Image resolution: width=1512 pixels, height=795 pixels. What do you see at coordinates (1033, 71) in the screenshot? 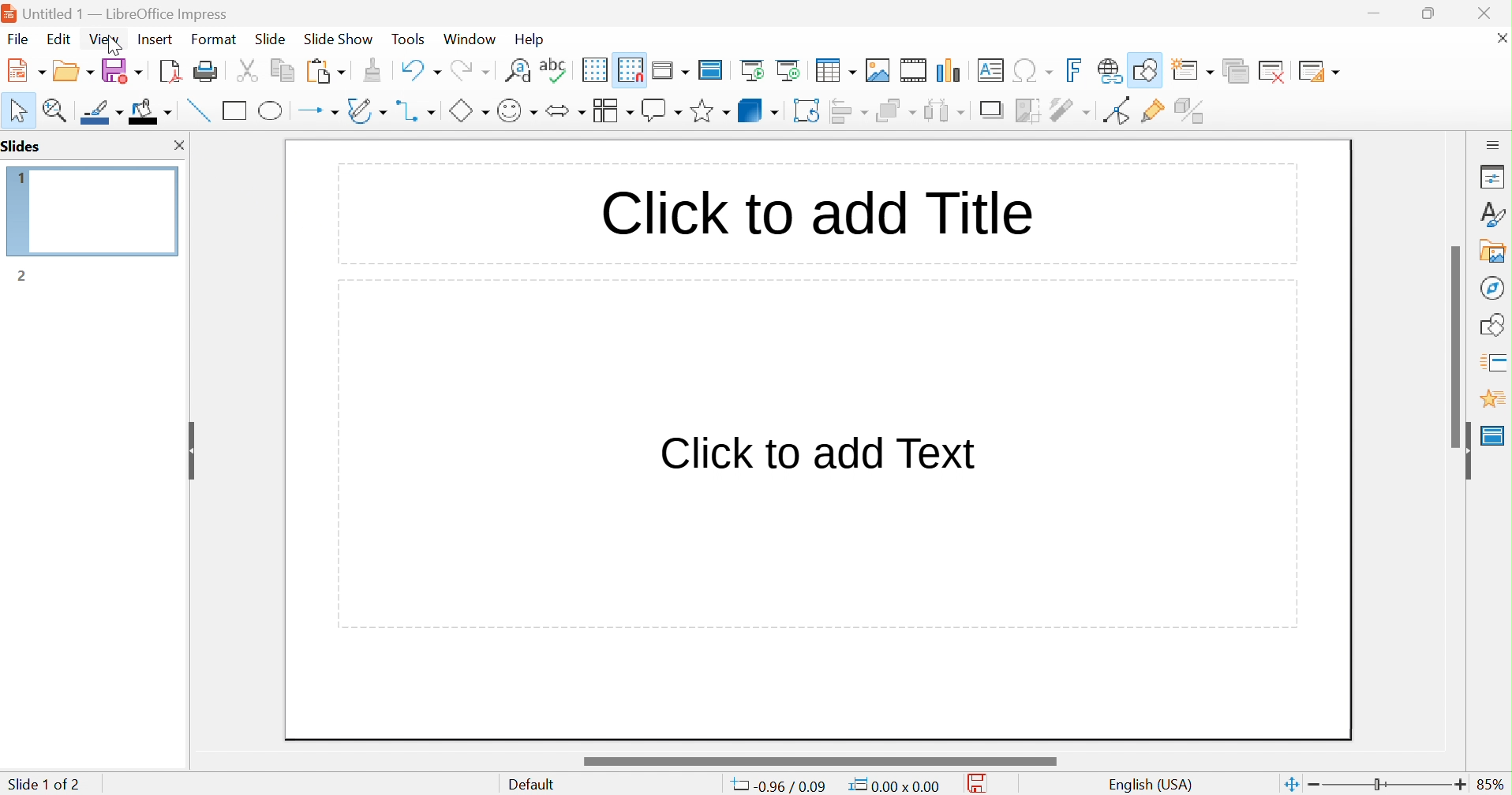
I see `insert special caracters` at bounding box center [1033, 71].